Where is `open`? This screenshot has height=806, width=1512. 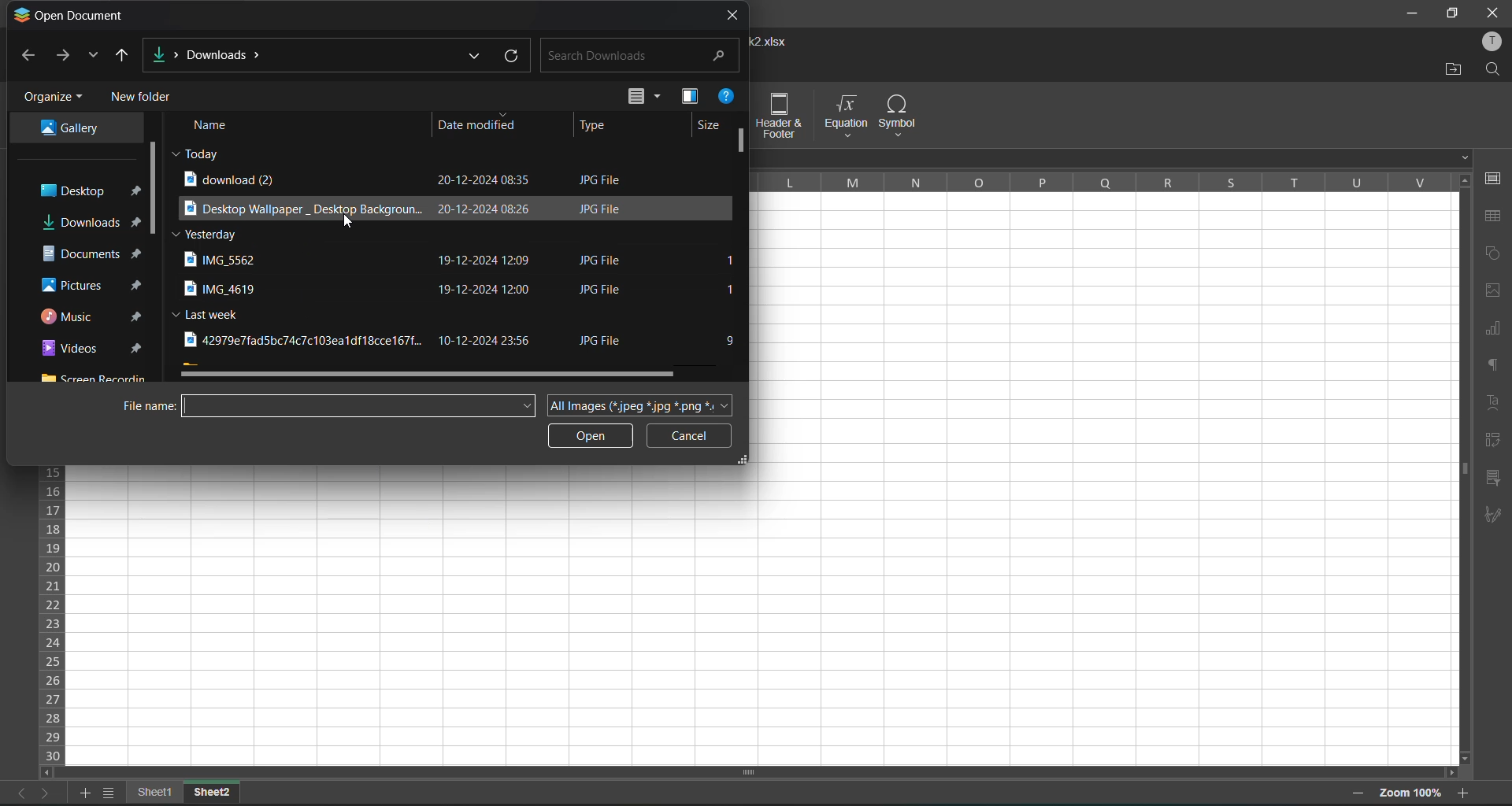
open is located at coordinates (590, 436).